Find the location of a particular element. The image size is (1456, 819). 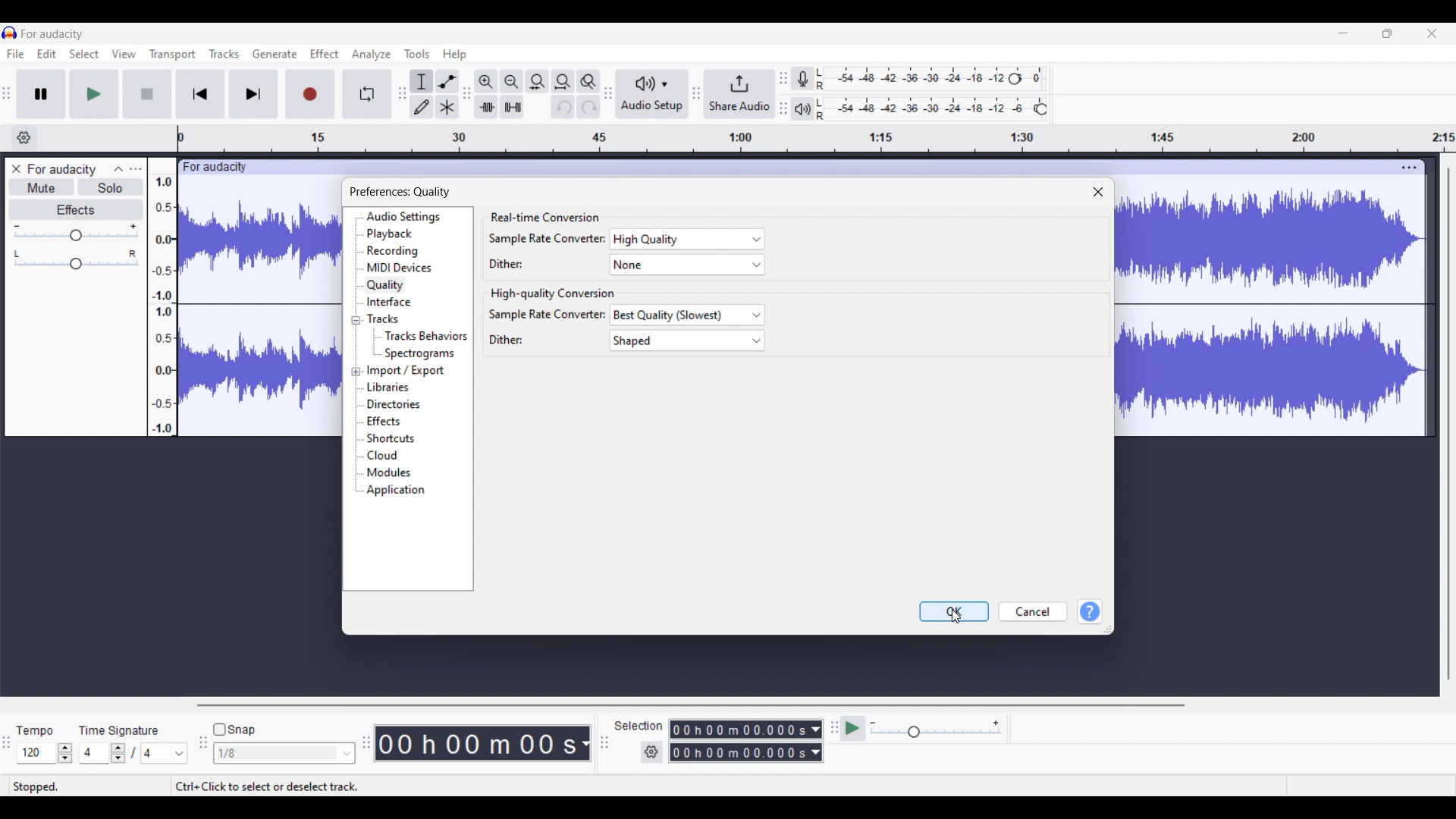

Track settings is located at coordinates (1409, 168).